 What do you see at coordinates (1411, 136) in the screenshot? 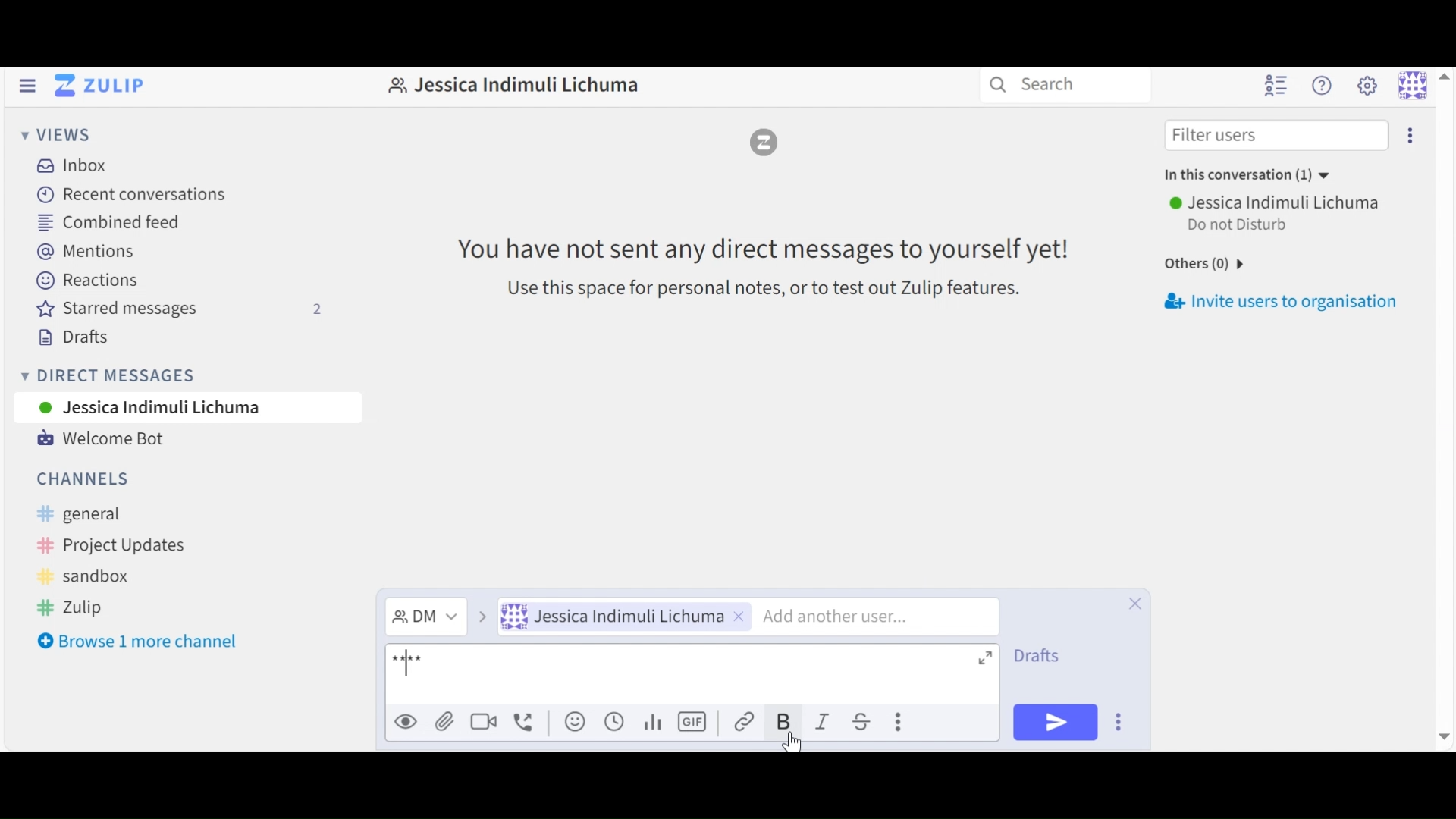
I see `more options` at bounding box center [1411, 136].